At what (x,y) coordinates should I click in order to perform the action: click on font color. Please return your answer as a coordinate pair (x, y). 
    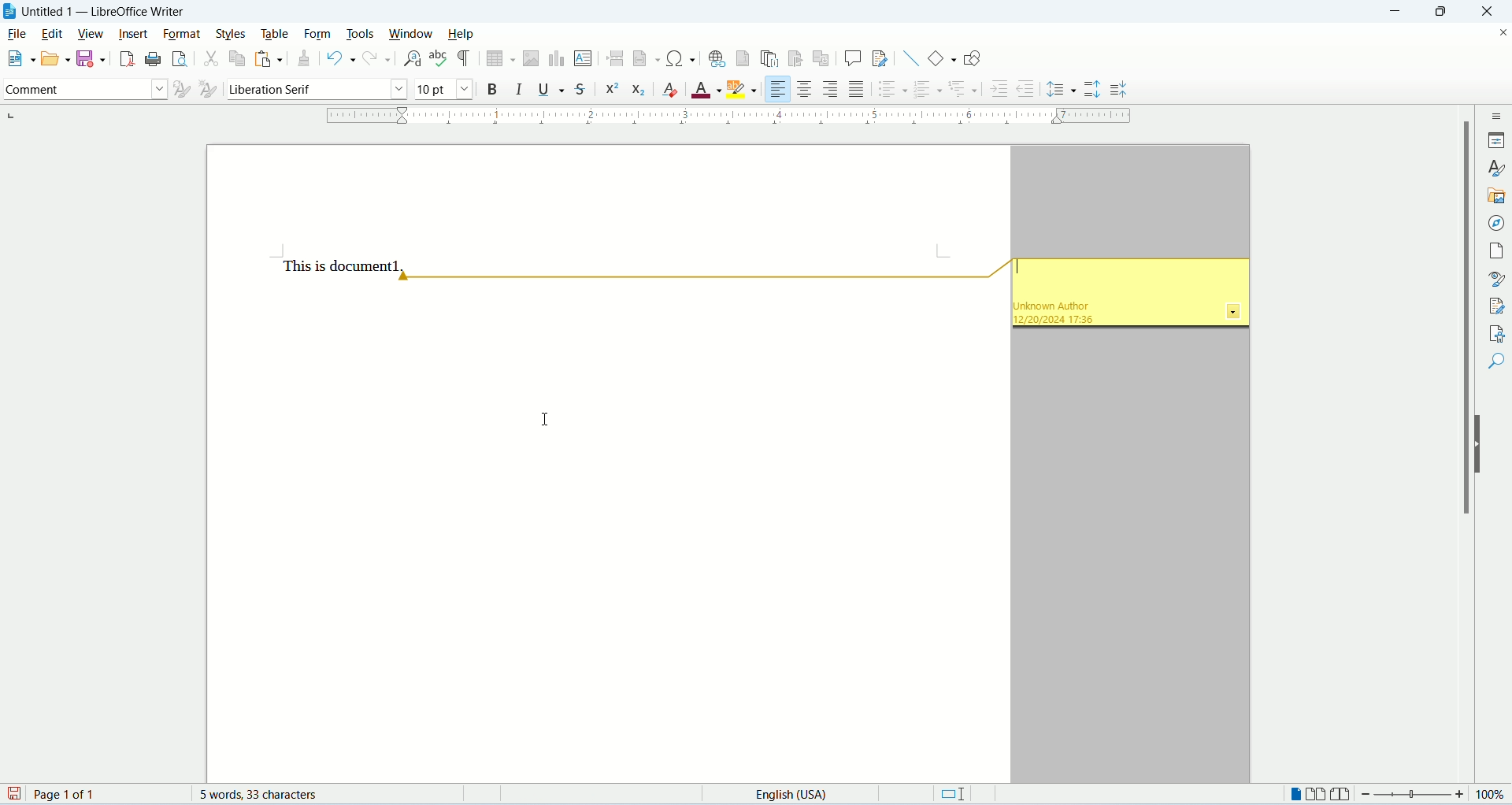
    Looking at the image, I should click on (706, 91).